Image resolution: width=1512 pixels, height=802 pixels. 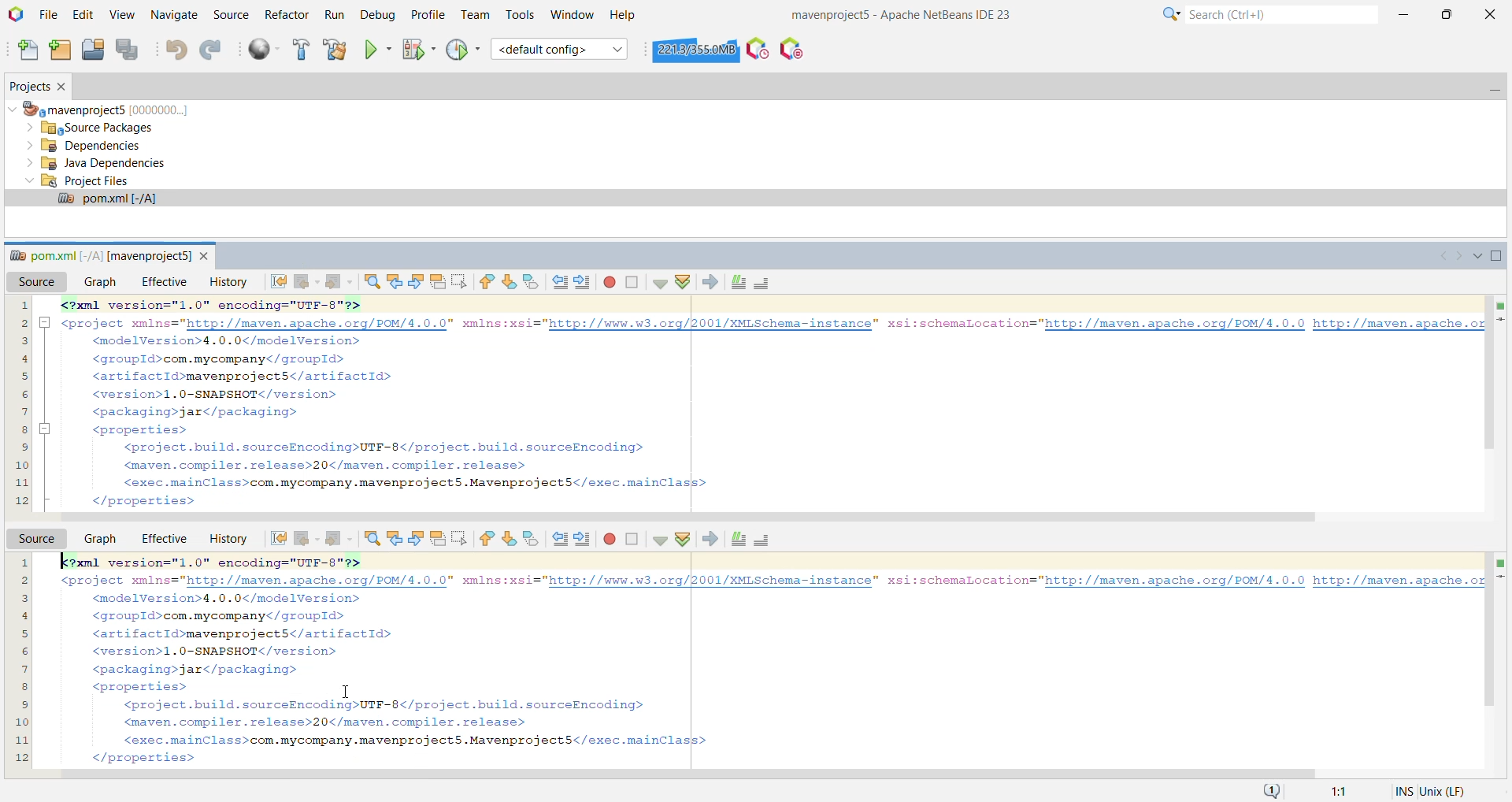 What do you see at coordinates (532, 540) in the screenshot?
I see `Toggle Bookmark` at bounding box center [532, 540].